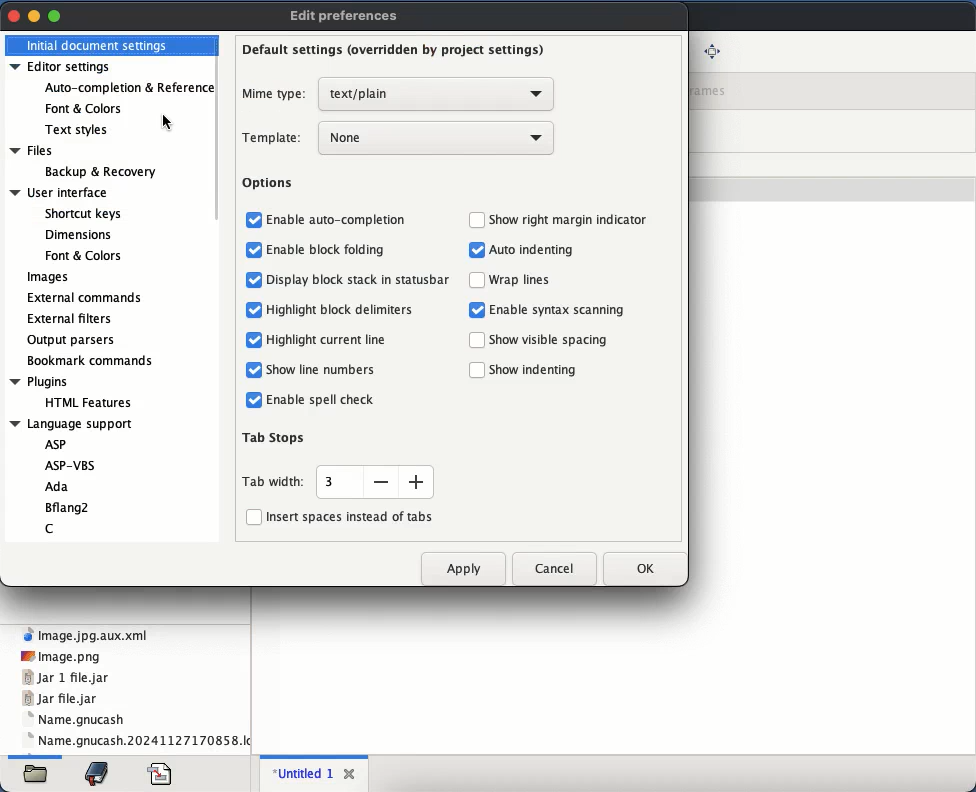  Describe the element at coordinates (301, 773) in the screenshot. I see `untitled 1` at that location.